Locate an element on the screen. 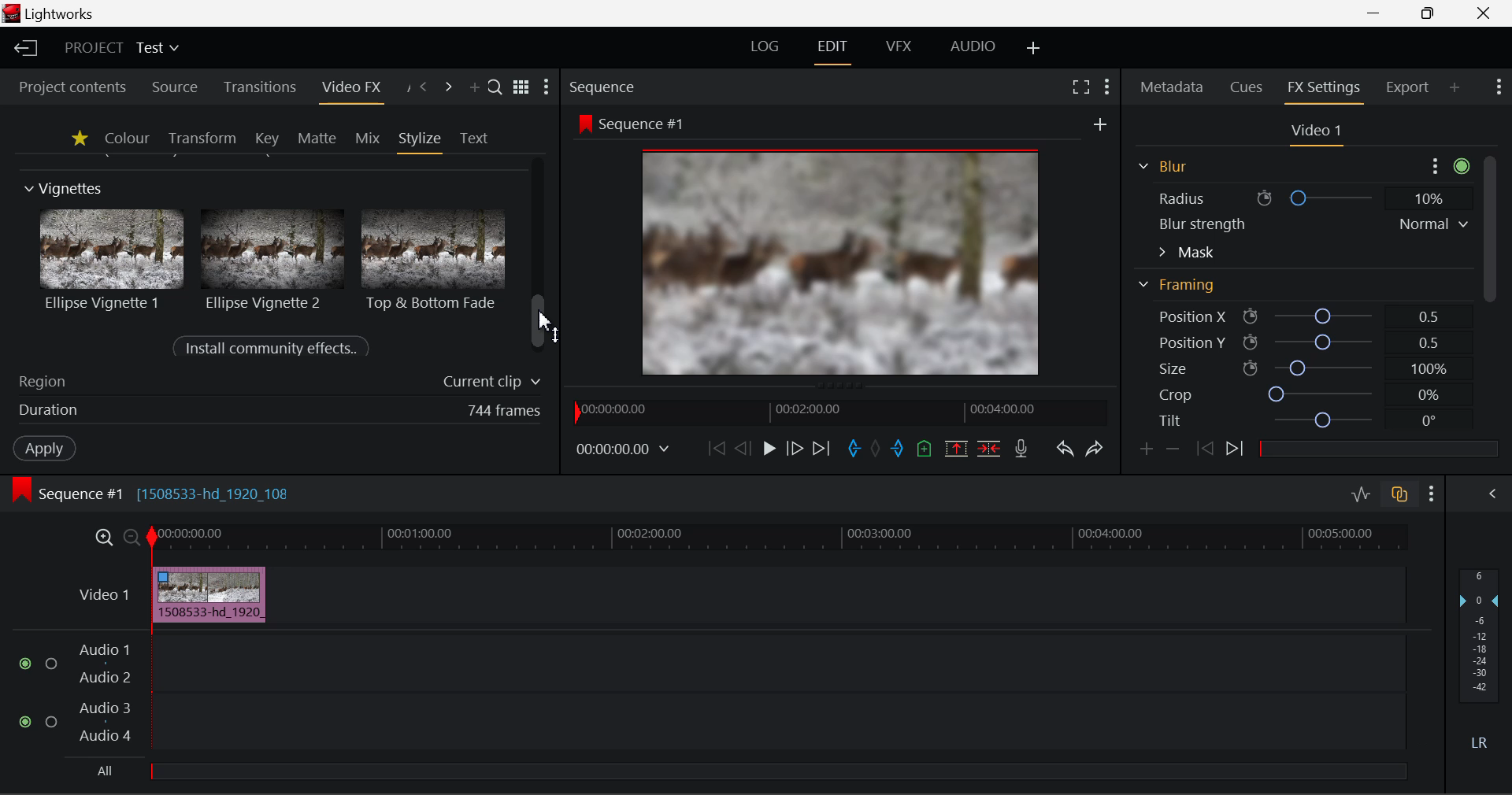 The image size is (1512, 795). Sequence Preview Section is located at coordinates (606, 86).